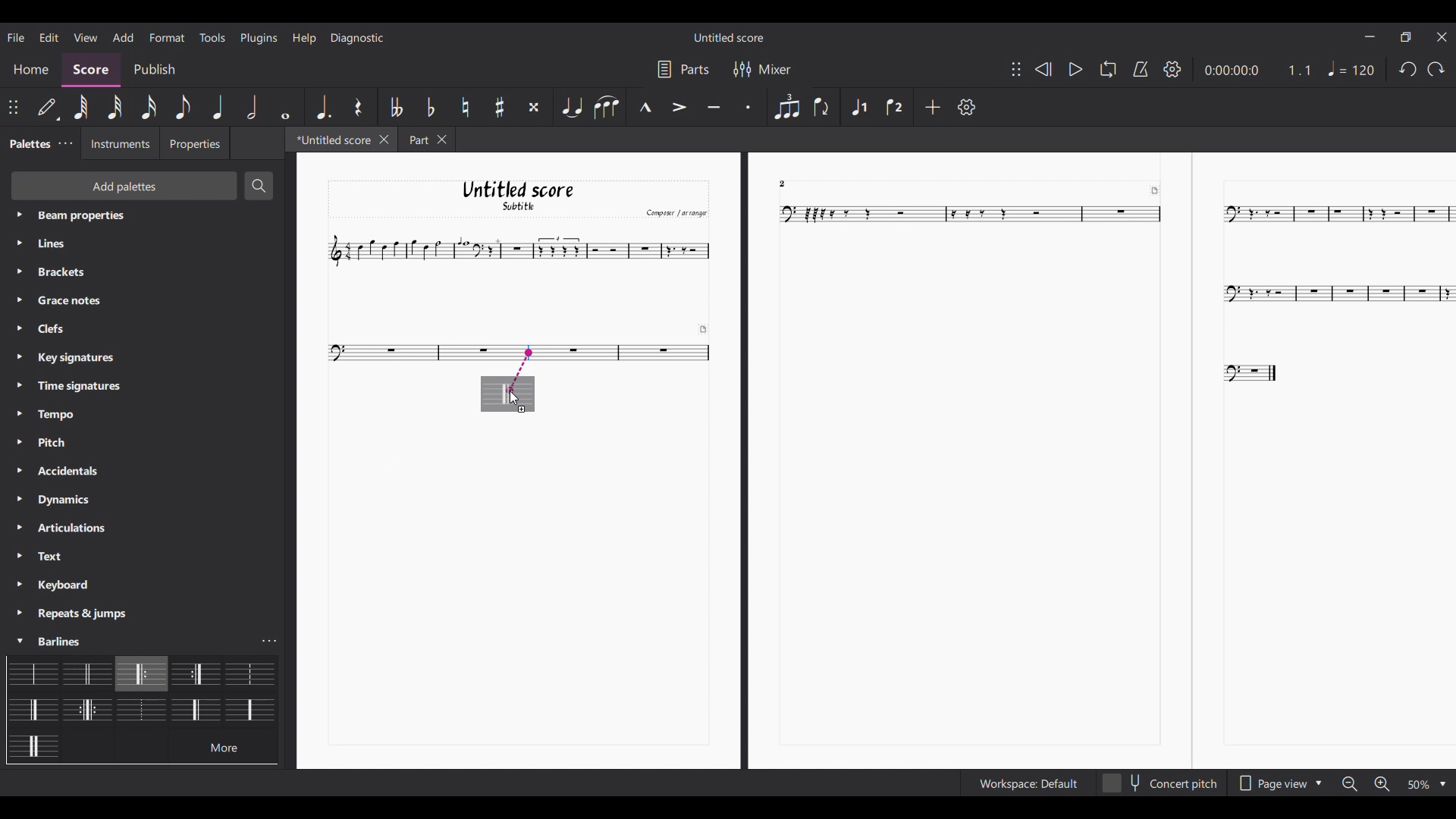 This screenshot has width=1456, height=819. Describe the element at coordinates (60, 585) in the screenshot. I see `Palette settings` at that location.